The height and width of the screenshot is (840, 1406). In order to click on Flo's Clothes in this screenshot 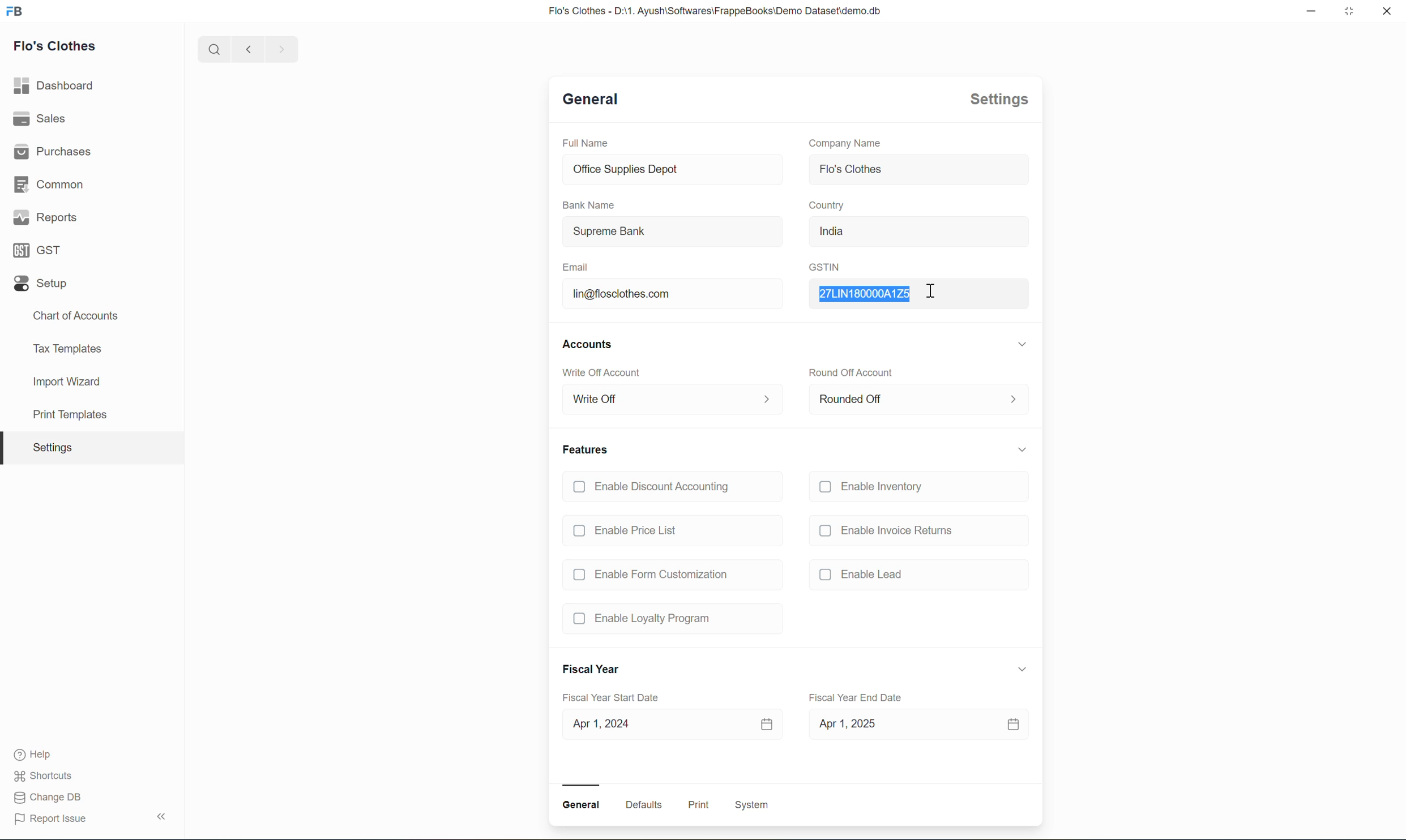, I will do `click(918, 171)`.